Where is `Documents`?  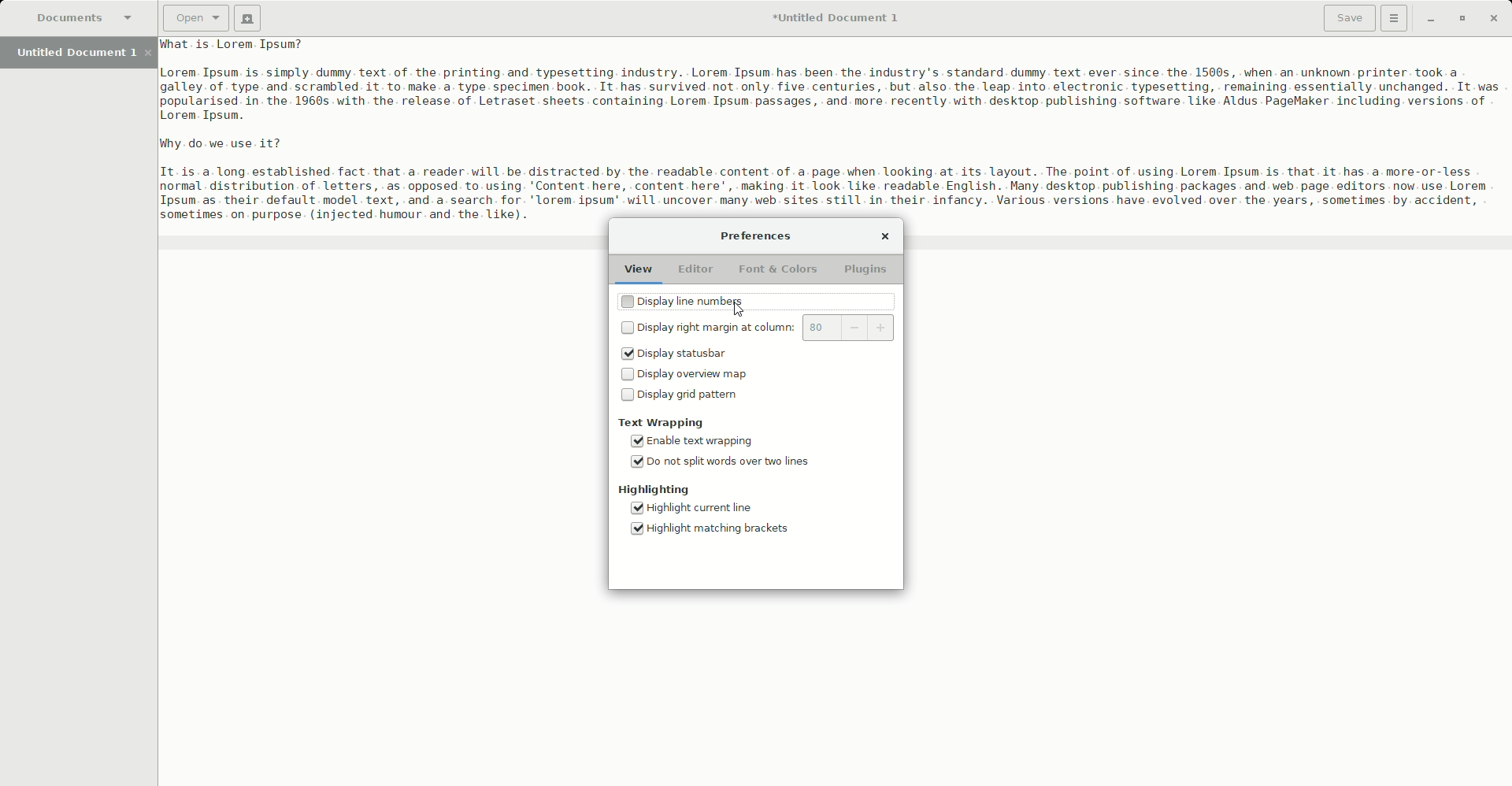 Documents is located at coordinates (86, 19).